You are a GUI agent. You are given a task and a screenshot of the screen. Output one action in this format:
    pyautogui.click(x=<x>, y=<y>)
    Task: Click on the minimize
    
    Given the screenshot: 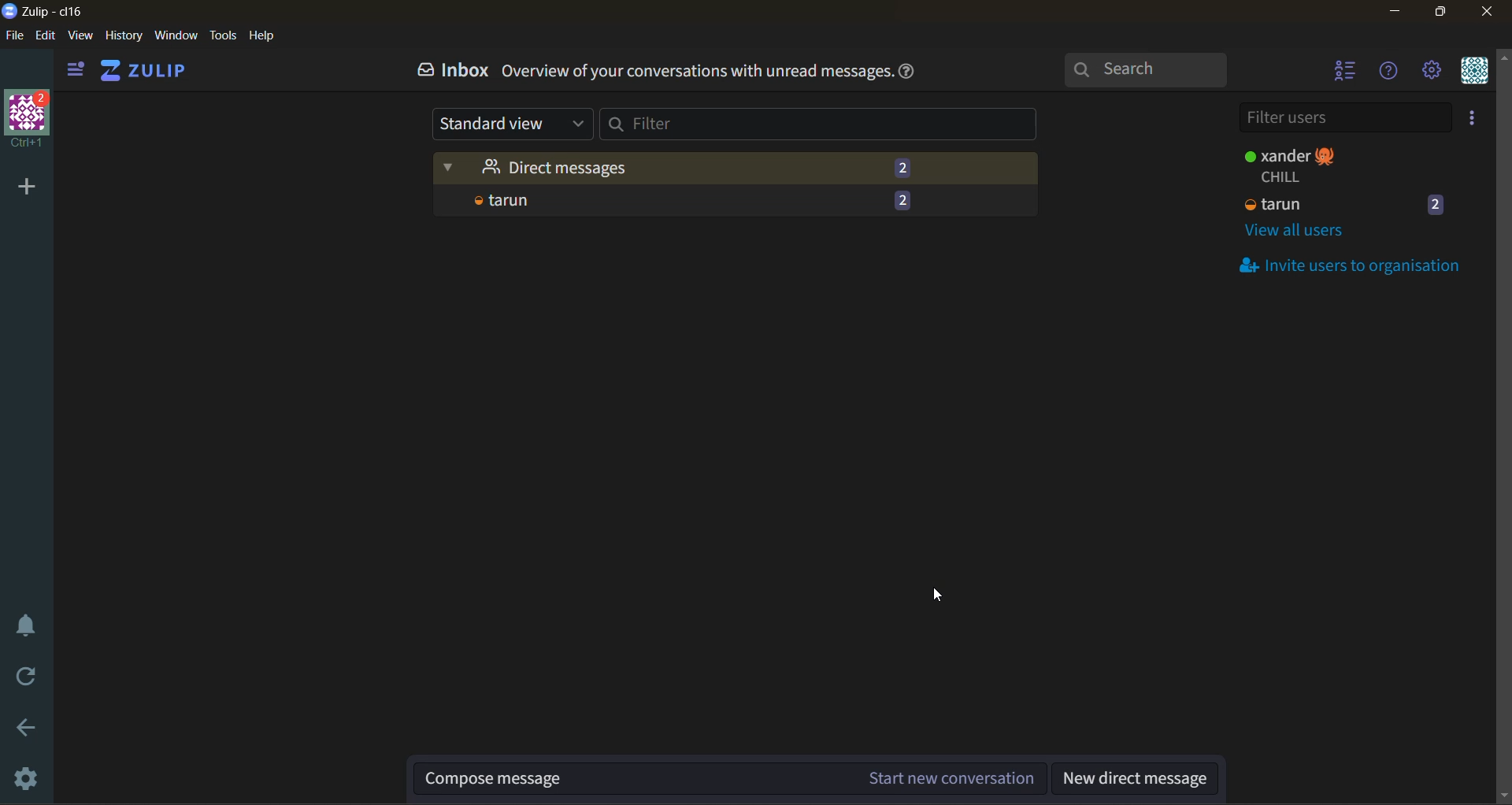 What is the action you would take?
    pyautogui.click(x=1397, y=13)
    